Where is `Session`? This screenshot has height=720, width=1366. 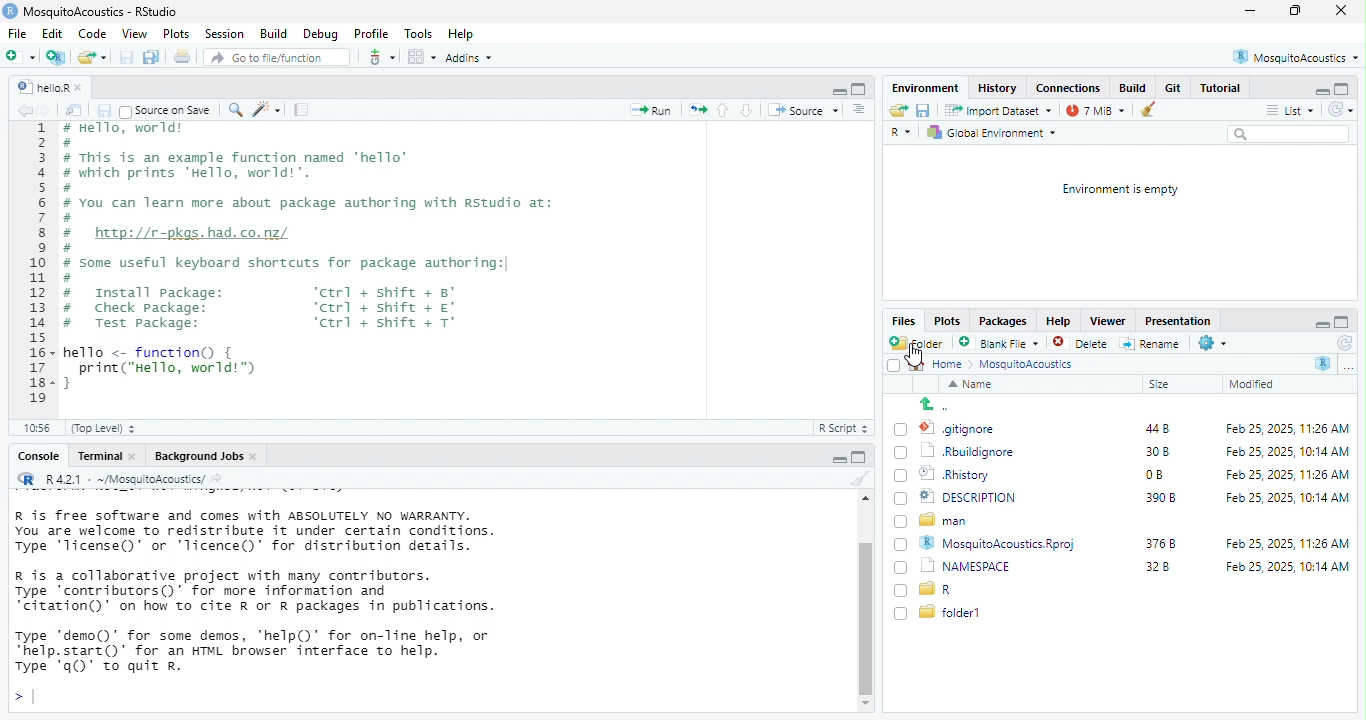
Session is located at coordinates (226, 35).